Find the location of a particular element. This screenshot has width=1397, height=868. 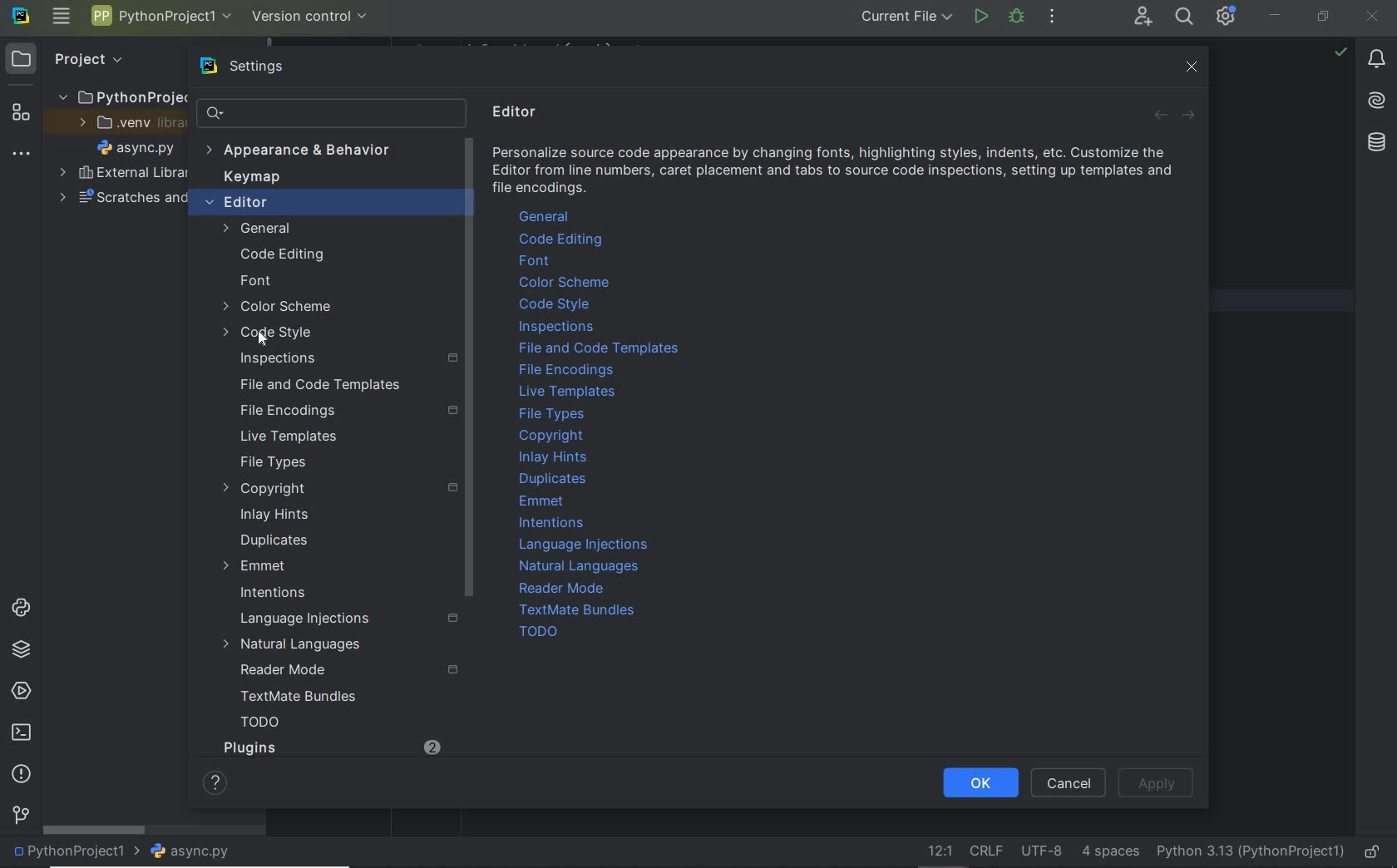

terminal is located at coordinates (23, 733).